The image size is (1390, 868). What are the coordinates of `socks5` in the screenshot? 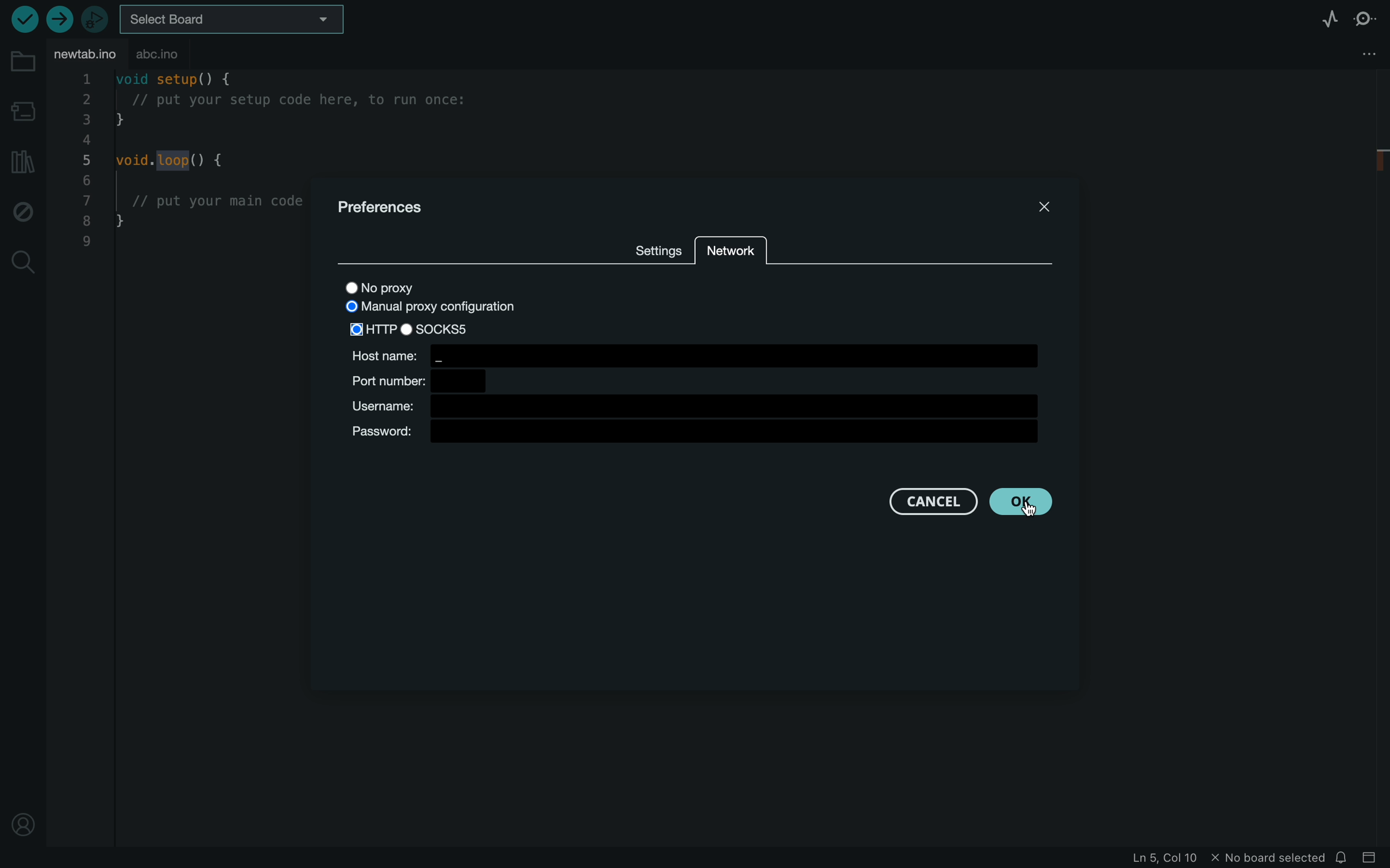 It's located at (455, 329).